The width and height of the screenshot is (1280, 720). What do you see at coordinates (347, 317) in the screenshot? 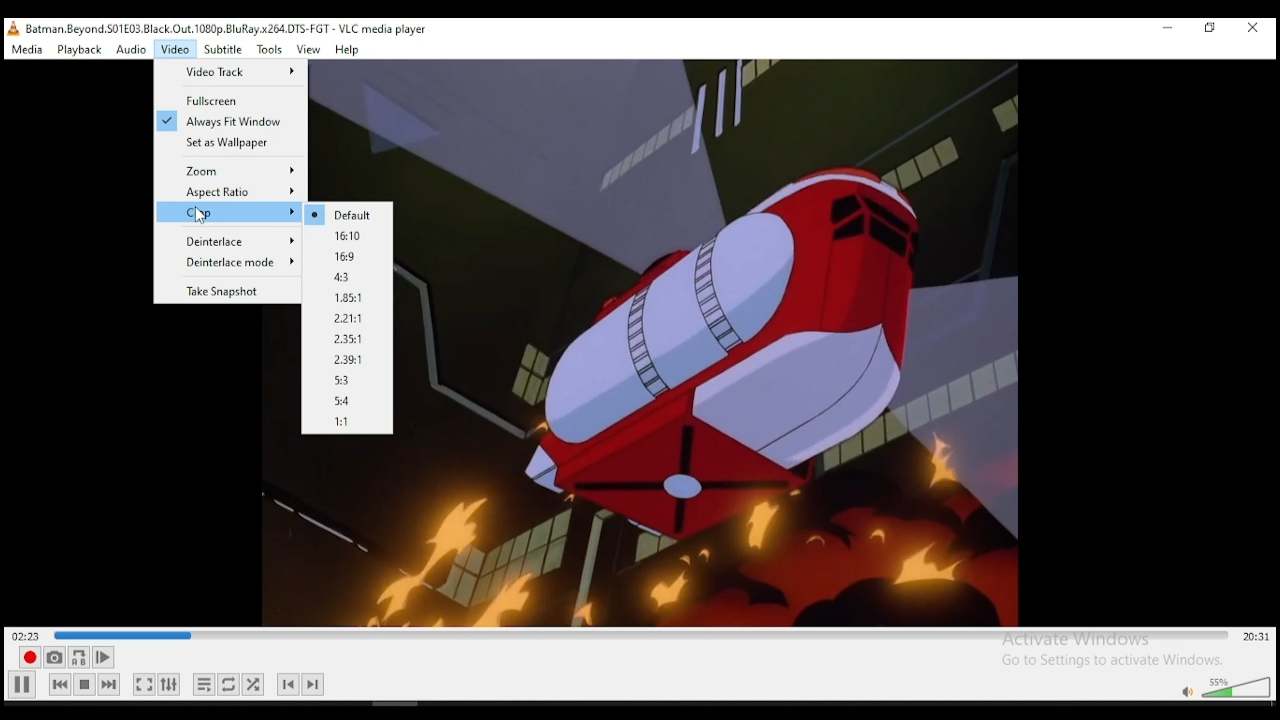
I see `2.21:1` at bounding box center [347, 317].